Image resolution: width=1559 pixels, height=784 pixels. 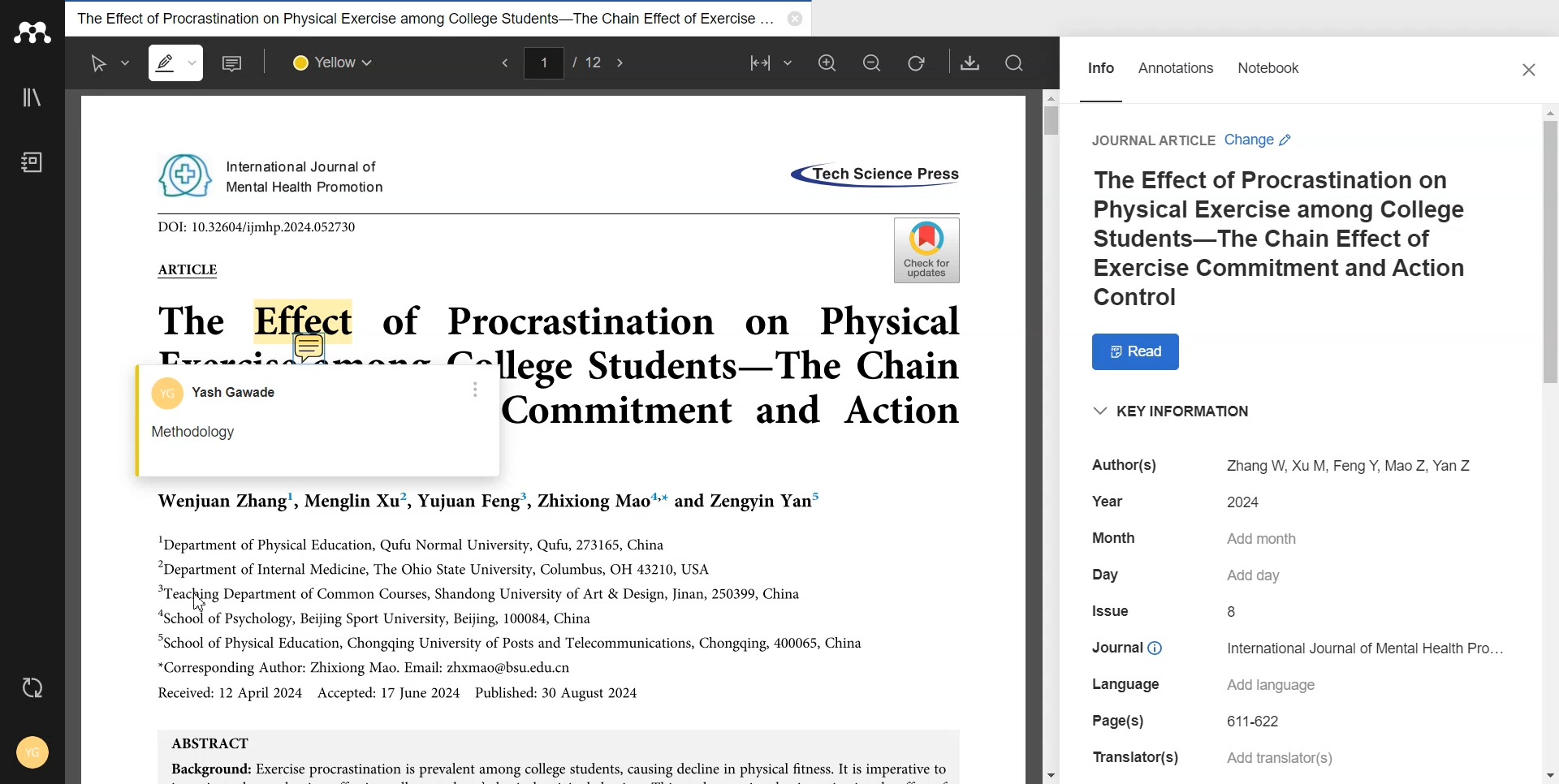 What do you see at coordinates (1176, 72) in the screenshot?
I see `Annotations` at bounding box center [1176, 72].